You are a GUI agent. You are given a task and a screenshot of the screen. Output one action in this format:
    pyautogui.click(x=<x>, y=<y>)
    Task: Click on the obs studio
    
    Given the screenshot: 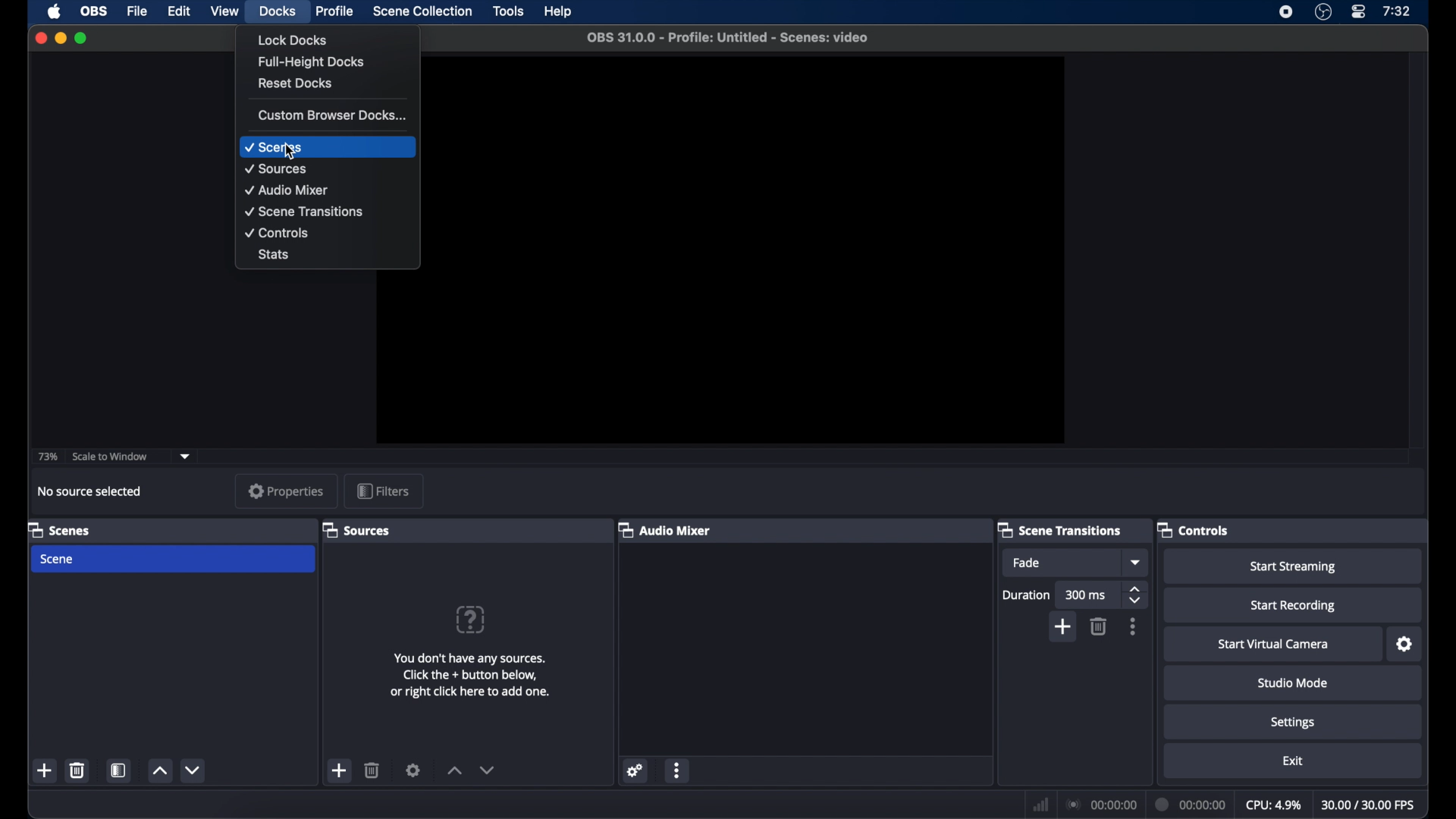 What is the action you would take?
    pyautogui.click(x=1323, y=12)
    